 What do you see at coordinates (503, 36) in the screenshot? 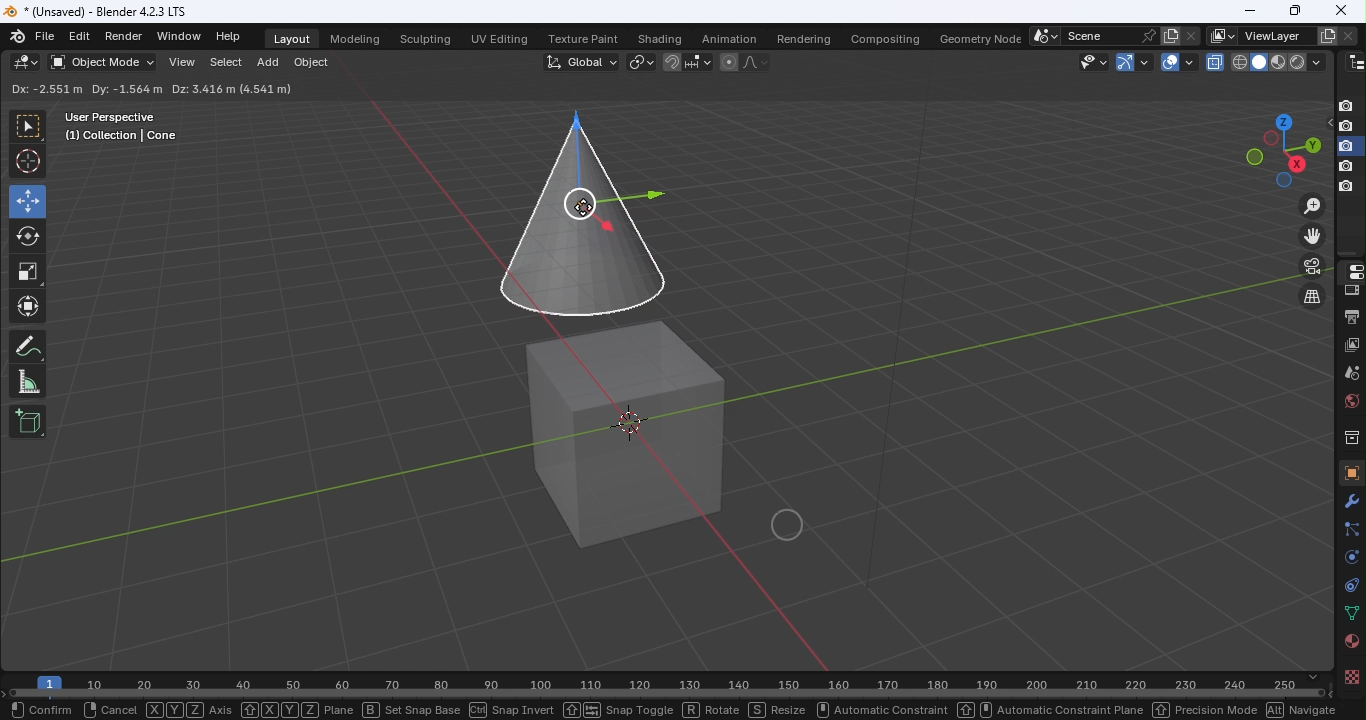
I see `UV editing` at bounding box center [503, 36].